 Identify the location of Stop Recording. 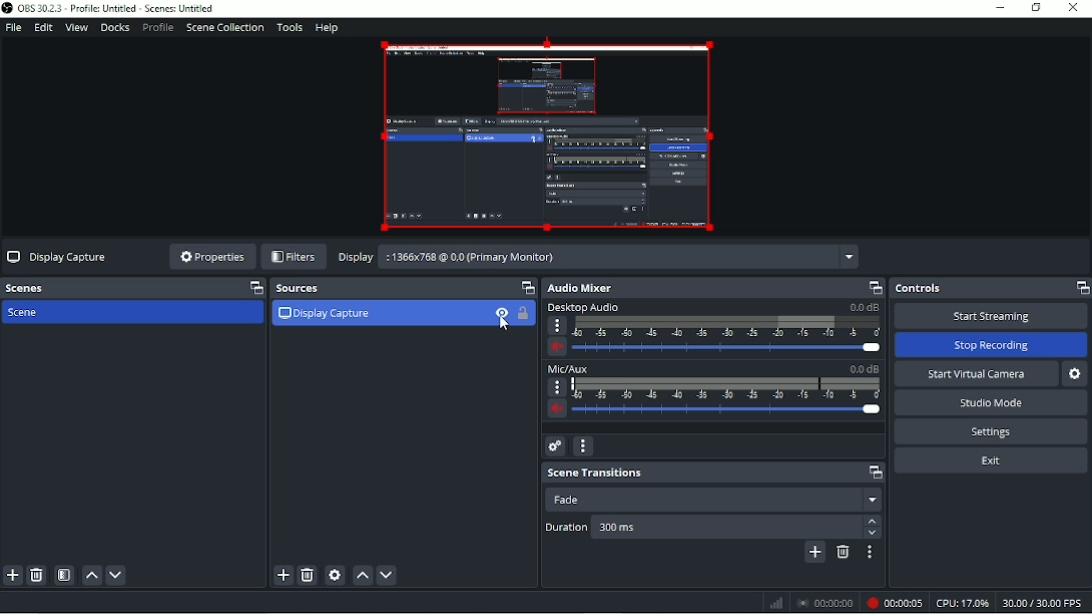
(990, 345).